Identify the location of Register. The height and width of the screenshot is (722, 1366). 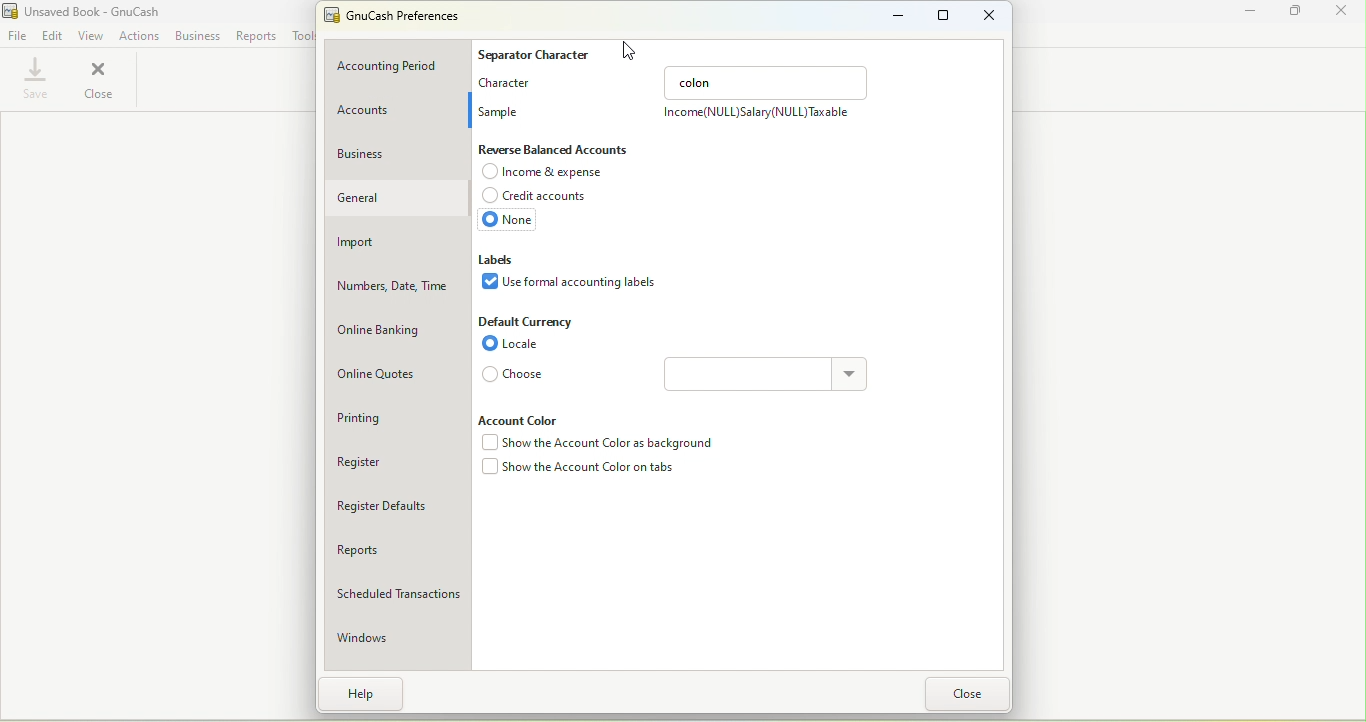
(401, 463).